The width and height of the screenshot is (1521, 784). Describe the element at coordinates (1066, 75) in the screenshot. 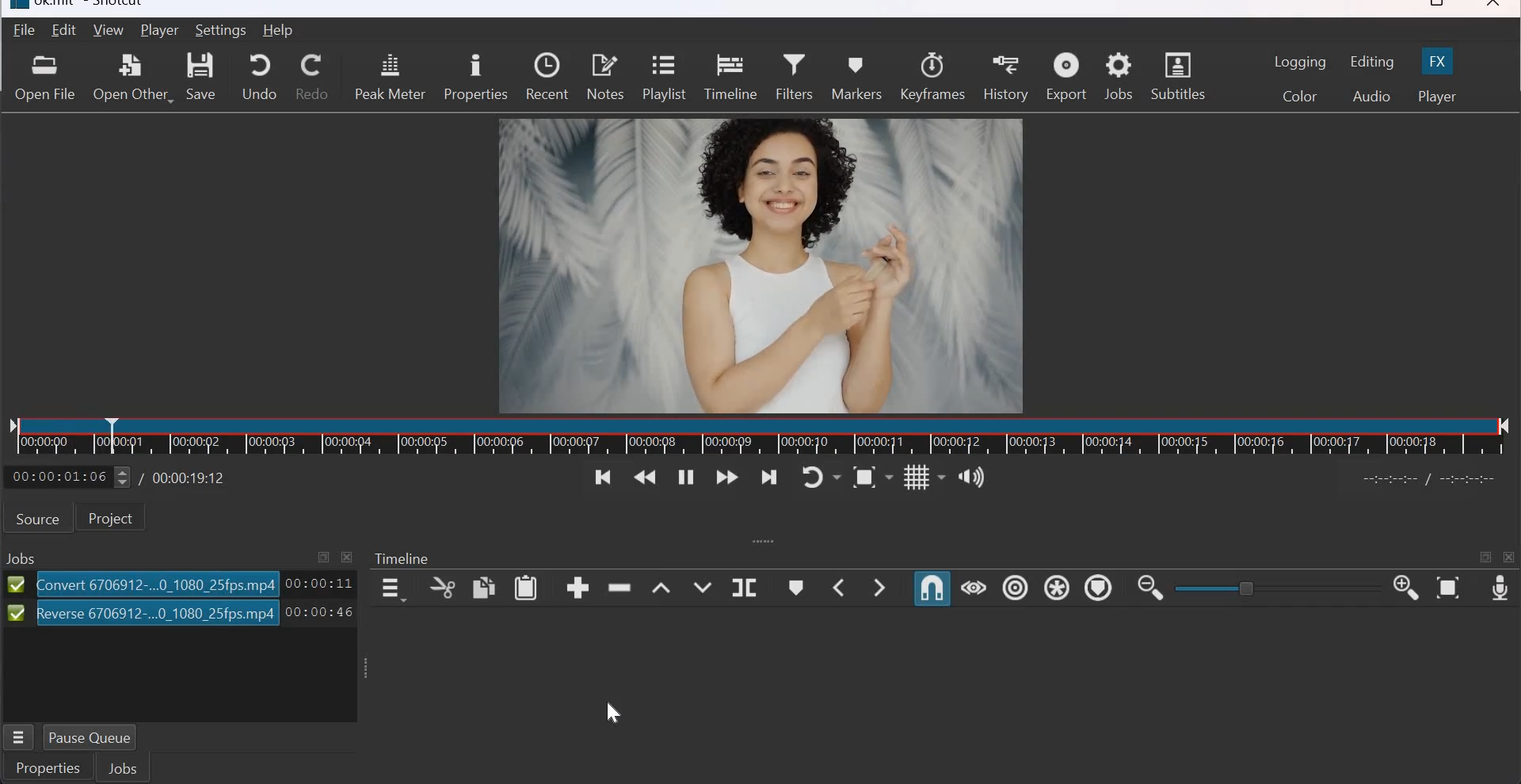

I see `Export` at that location.